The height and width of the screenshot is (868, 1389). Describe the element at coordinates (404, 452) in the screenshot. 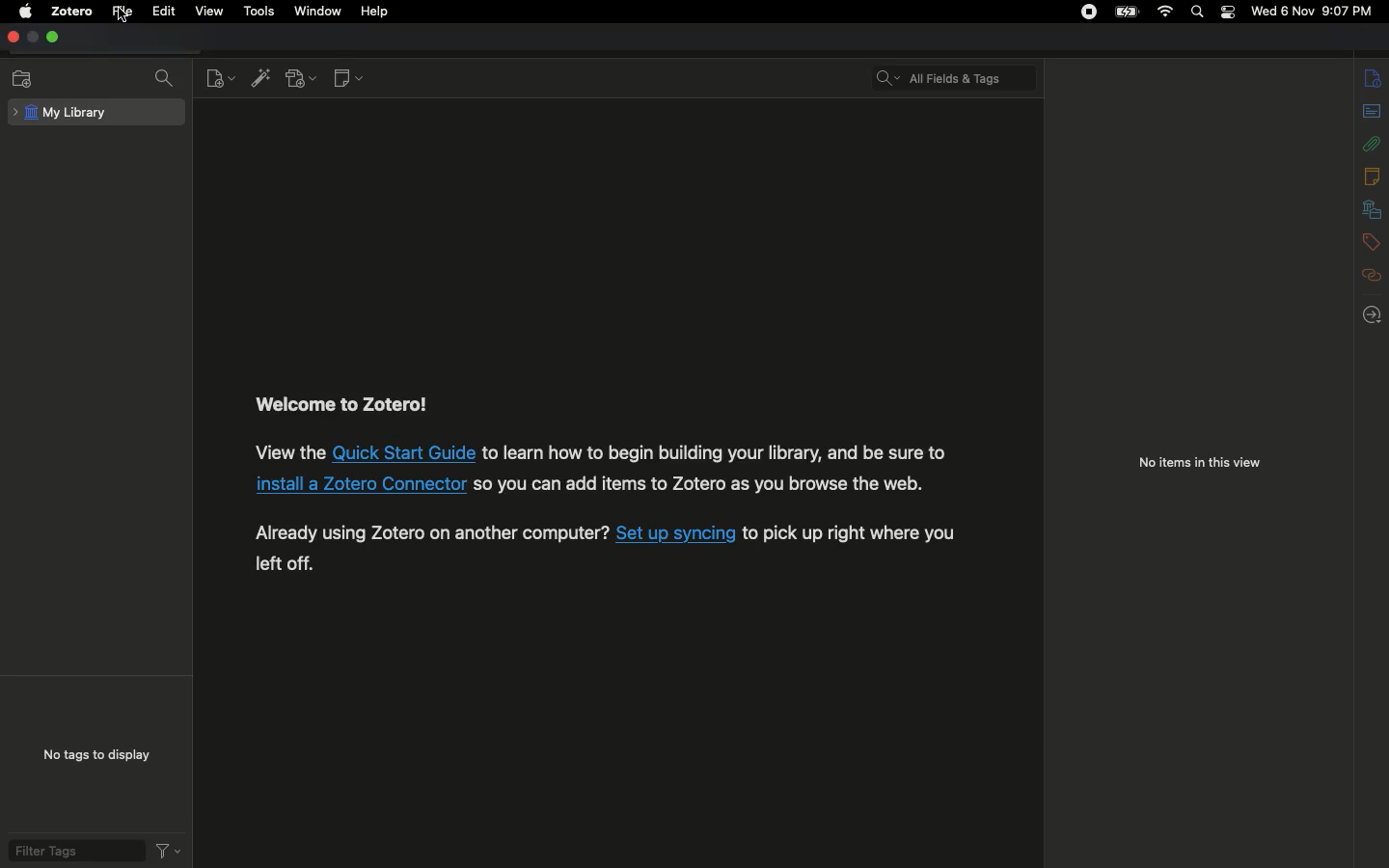

I see `Quick Start Guide` at that location.